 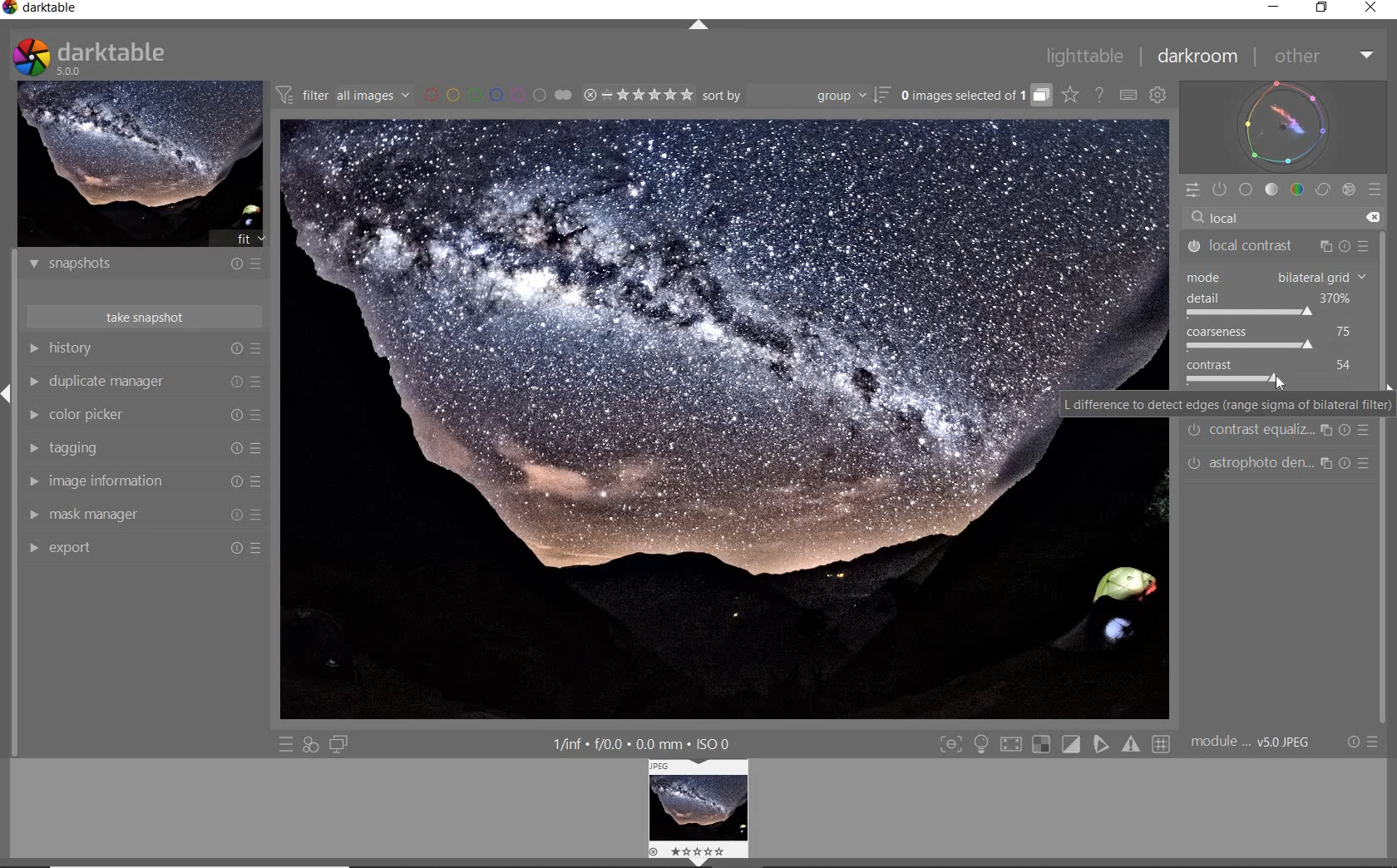 I want to click on Duplicate manager, so click(x=111, y=379).